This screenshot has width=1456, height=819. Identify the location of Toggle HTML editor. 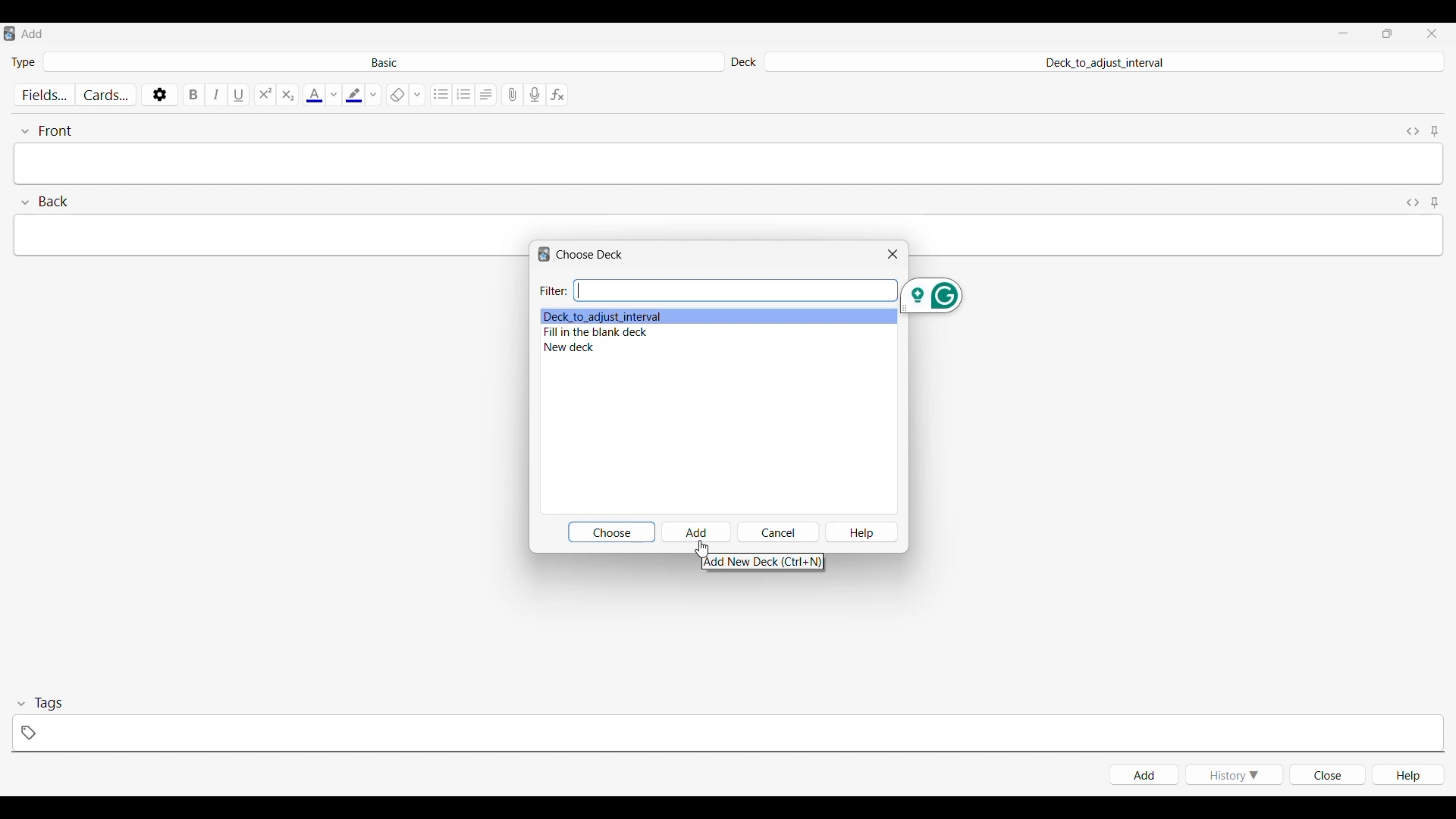
(1414, 203).